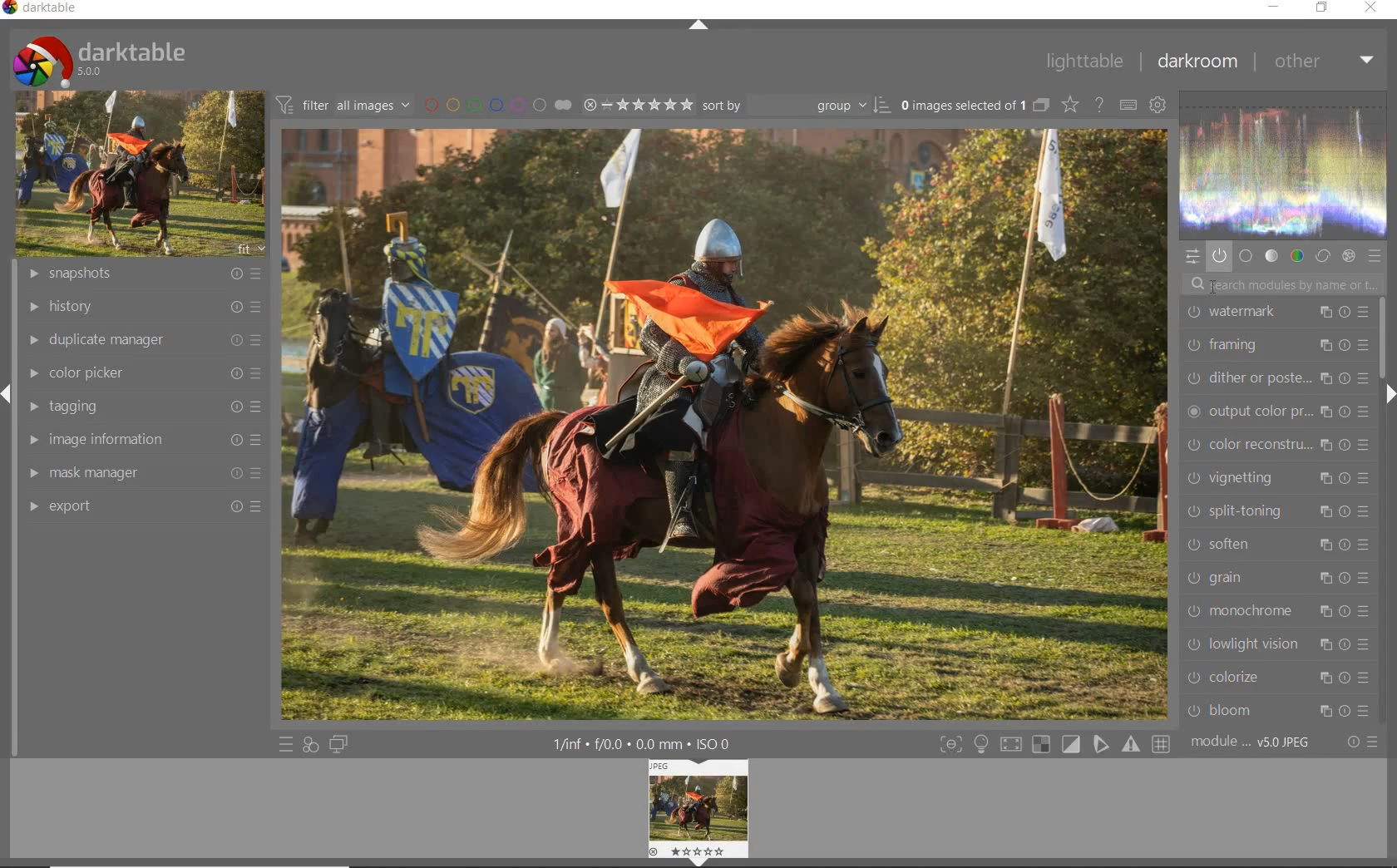 This screenshot has width=1397, height=868. I want to click on framing, so click(1273, 347).